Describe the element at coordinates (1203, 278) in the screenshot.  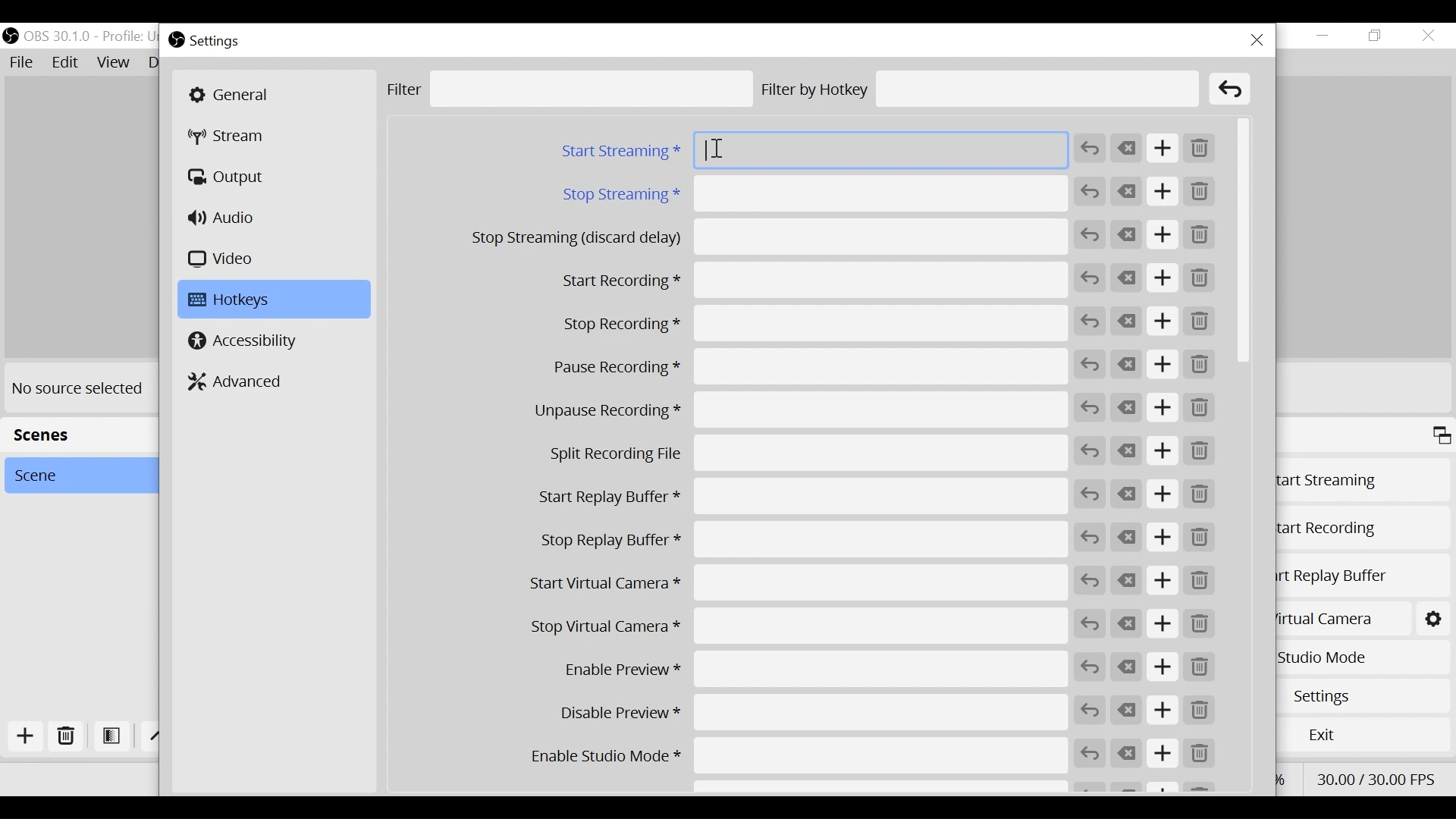
I see `Remove` at that location.